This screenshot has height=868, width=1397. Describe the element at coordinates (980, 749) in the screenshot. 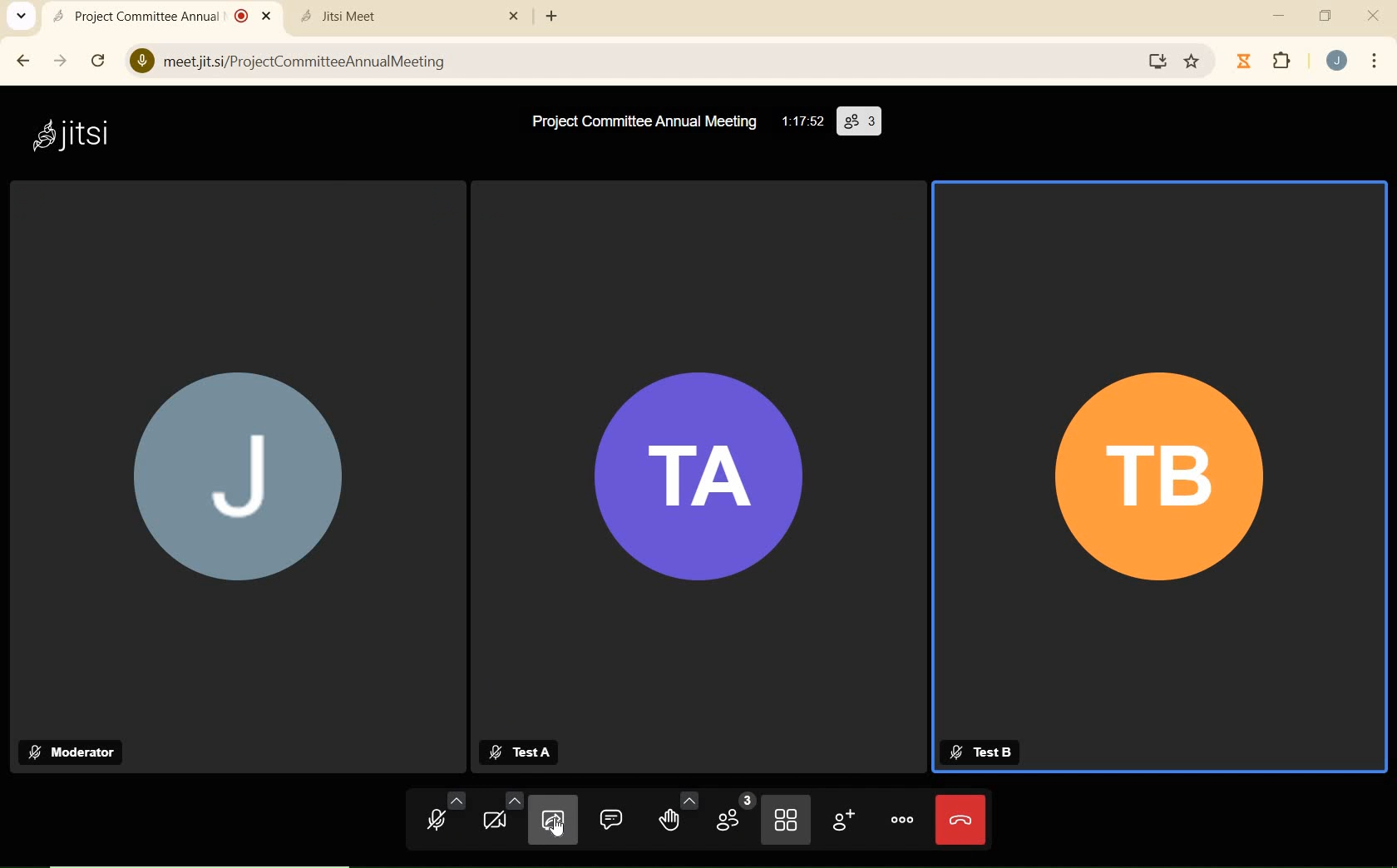

I see `Test B` at that location.